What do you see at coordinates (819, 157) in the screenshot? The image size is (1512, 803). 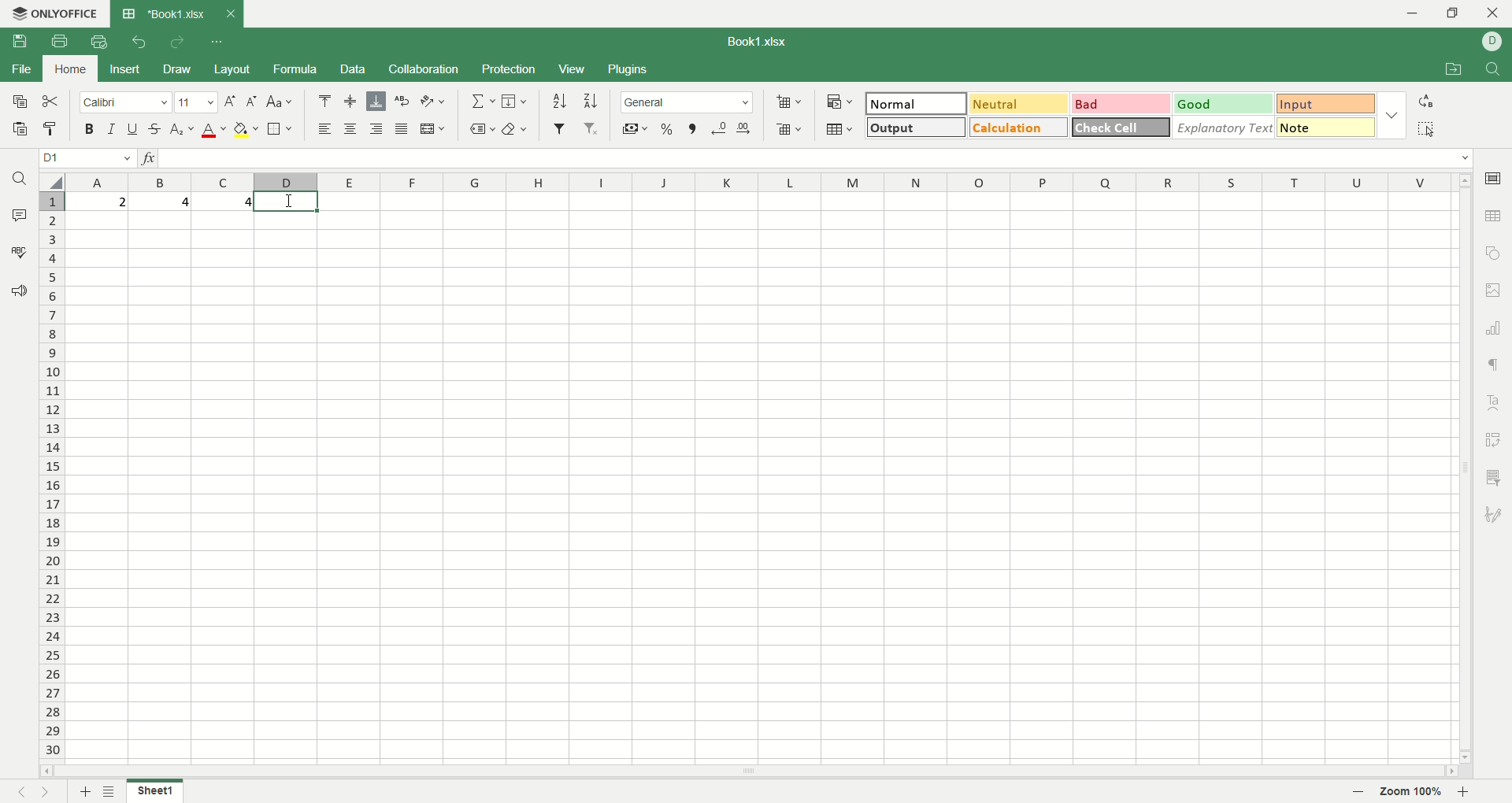 I see `formula bar` at bounding box center [819, 157].